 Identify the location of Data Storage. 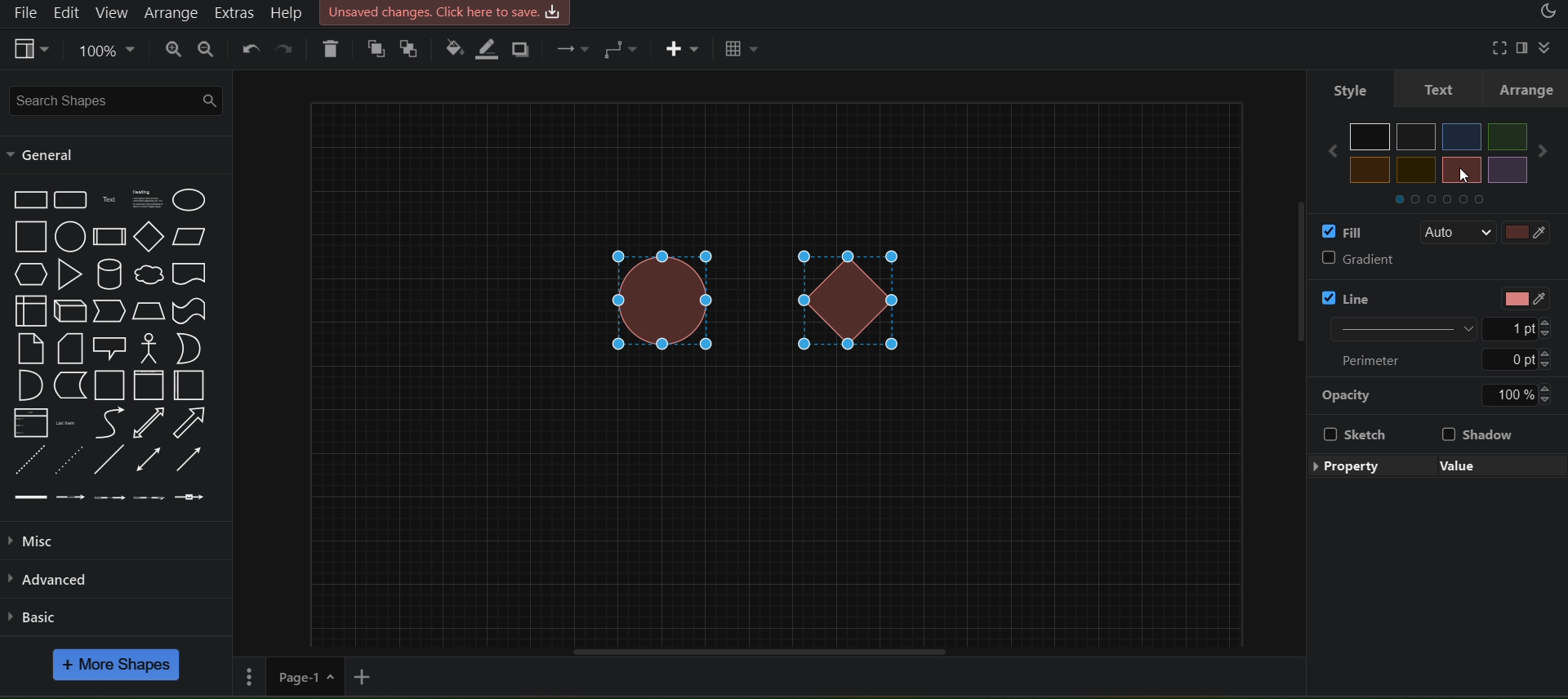
(69, 385).